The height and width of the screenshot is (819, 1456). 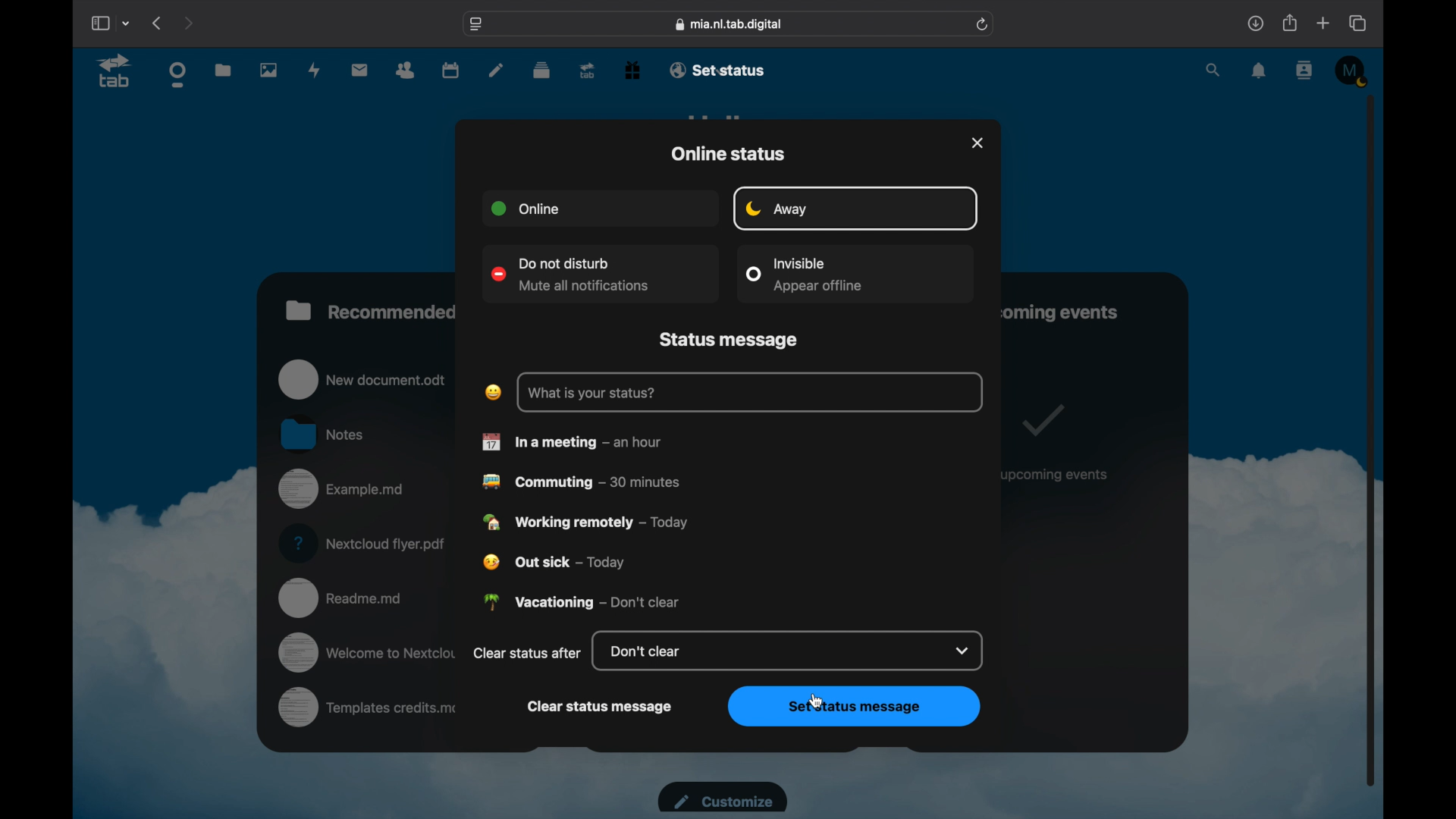 I want to click on show tab overview, so click(x=1357, y=23).